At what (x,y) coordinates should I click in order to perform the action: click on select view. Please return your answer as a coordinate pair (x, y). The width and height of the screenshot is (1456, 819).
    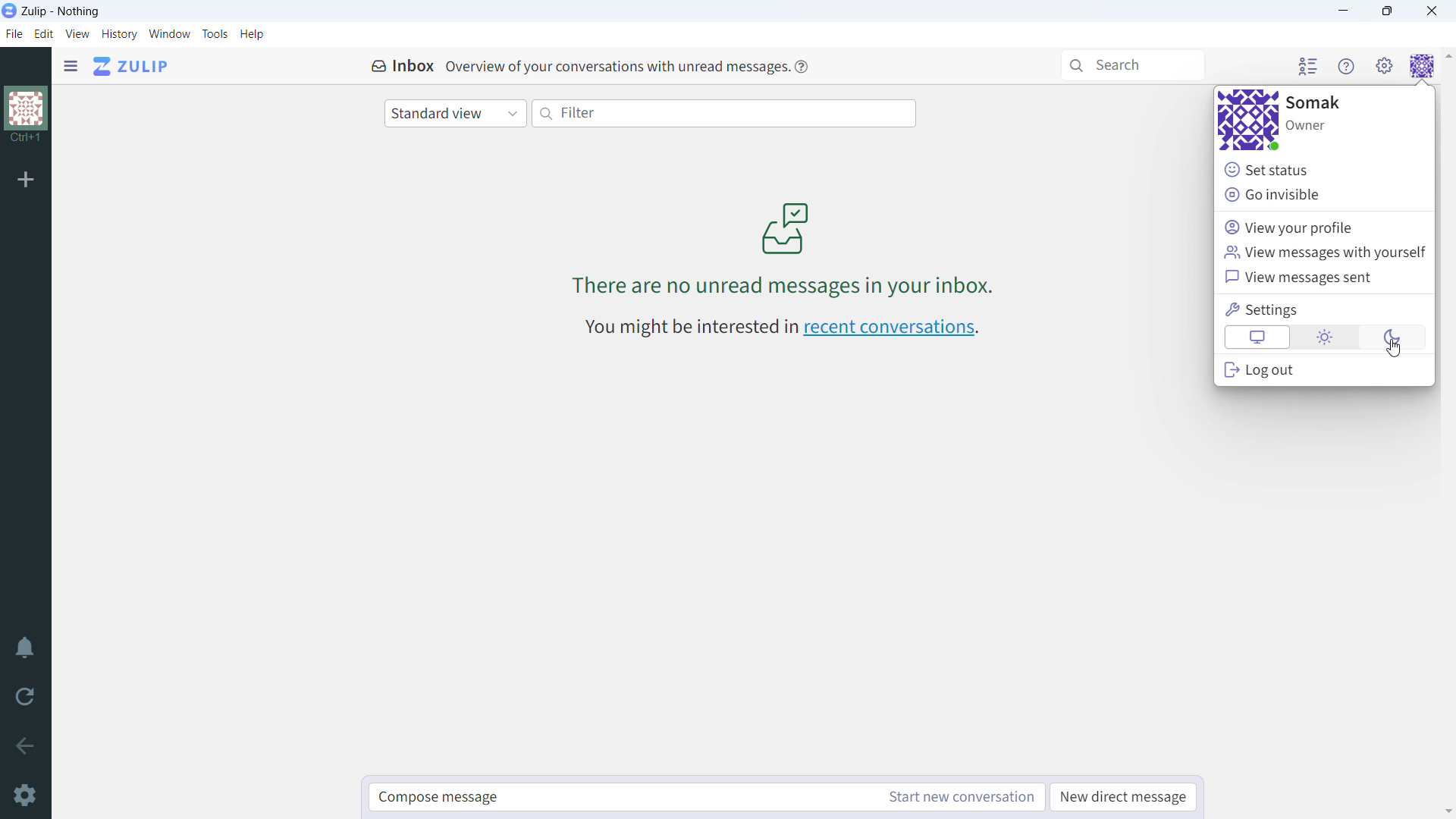
    Looking at the image, I should click on (455, 114).